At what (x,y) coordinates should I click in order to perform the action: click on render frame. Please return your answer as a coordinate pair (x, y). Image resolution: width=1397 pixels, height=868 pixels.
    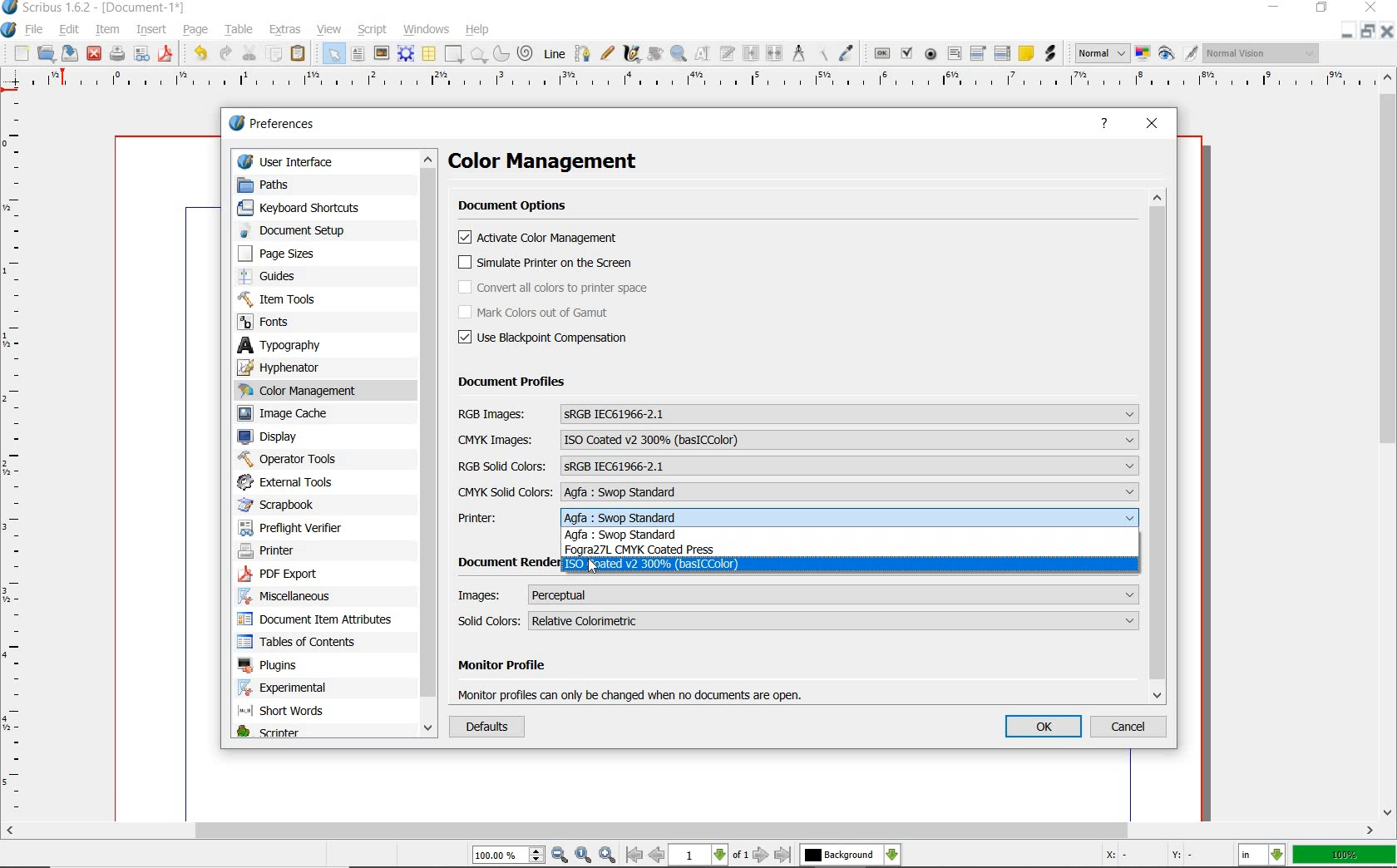
    Looking at the image, I should click on (406, 53).